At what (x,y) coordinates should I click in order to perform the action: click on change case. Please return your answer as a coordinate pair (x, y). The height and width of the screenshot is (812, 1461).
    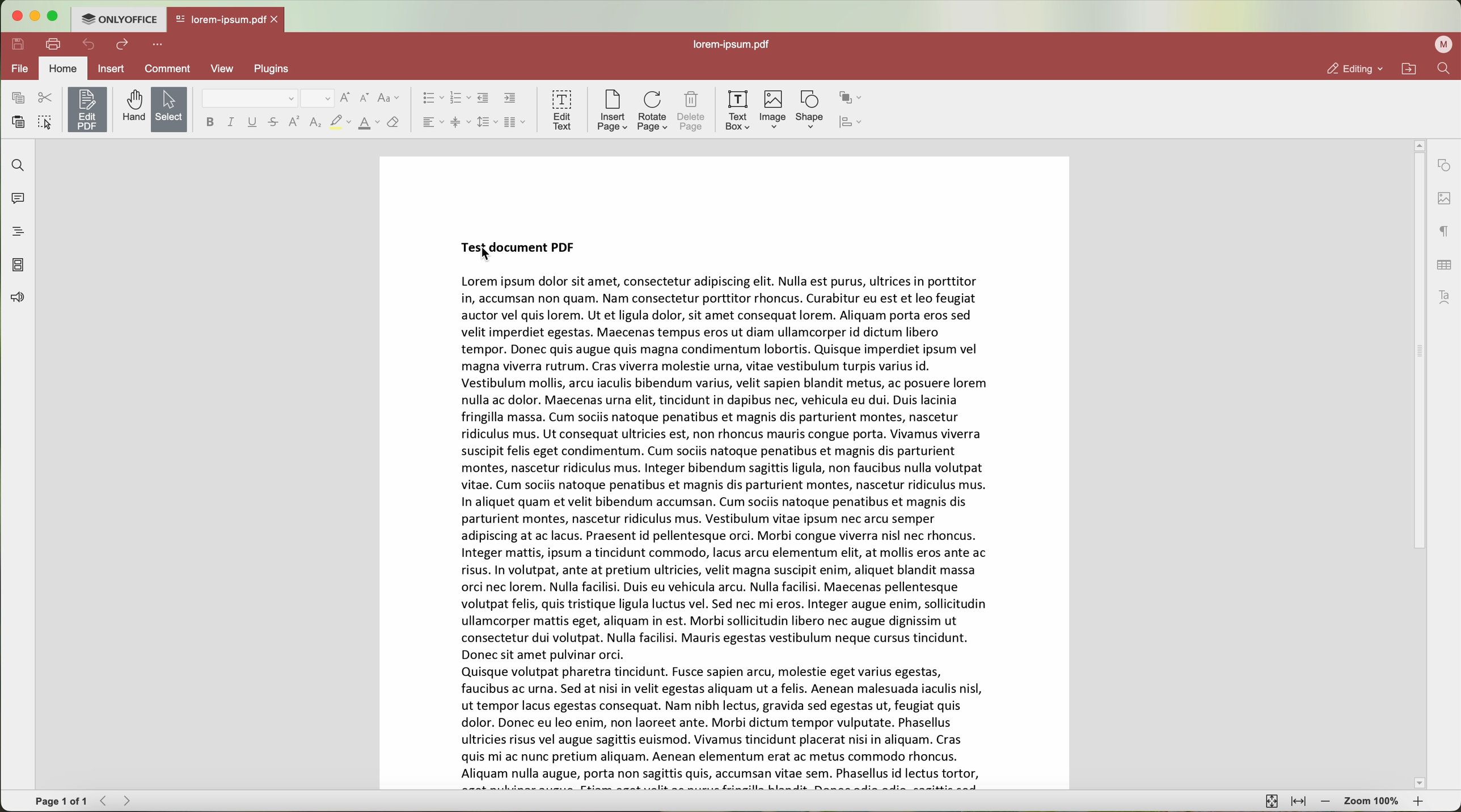
    Looking at the image, I should click on (391, 100).